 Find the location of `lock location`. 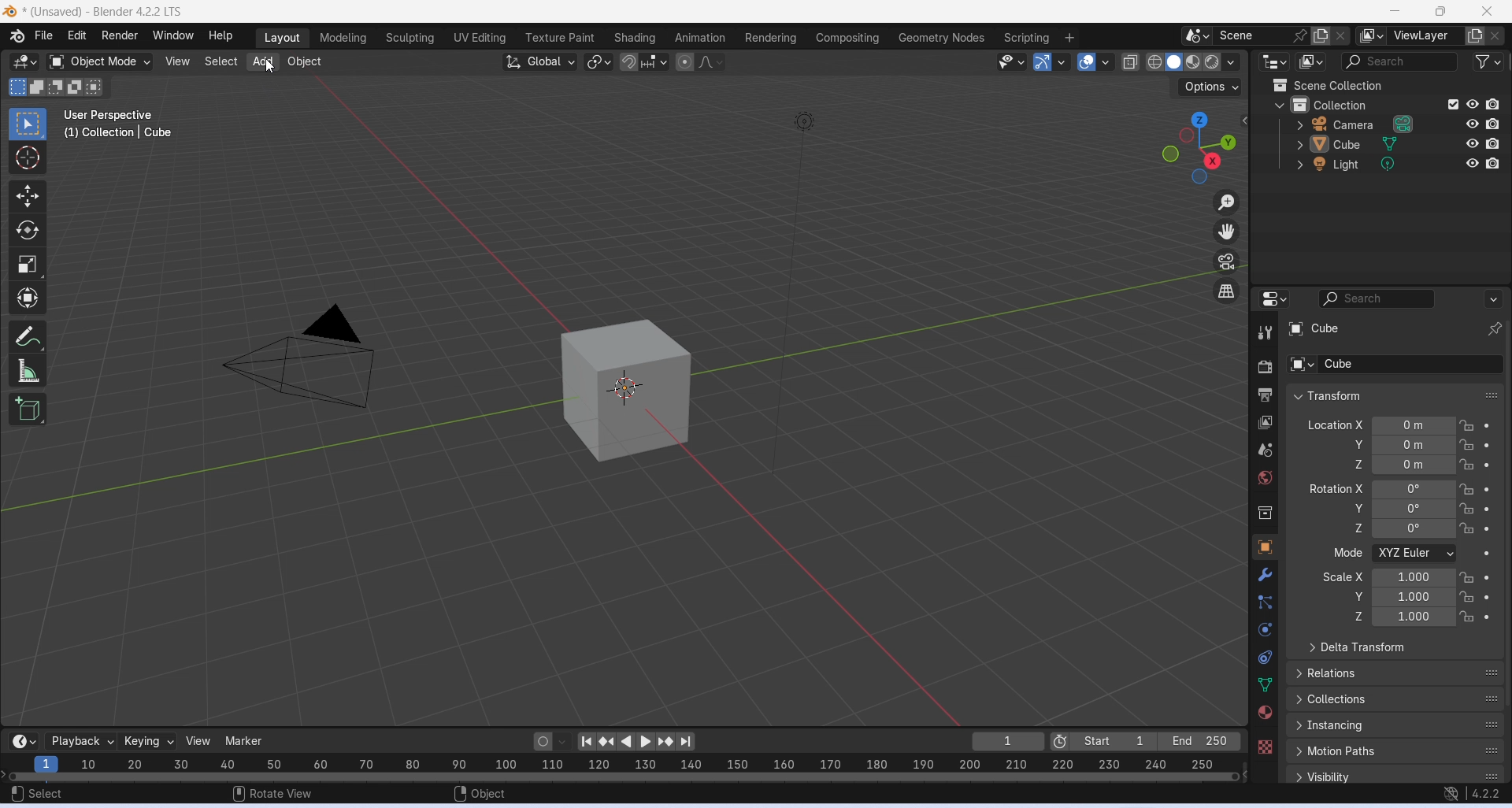

lock location is located at coordinates (1467, 578).